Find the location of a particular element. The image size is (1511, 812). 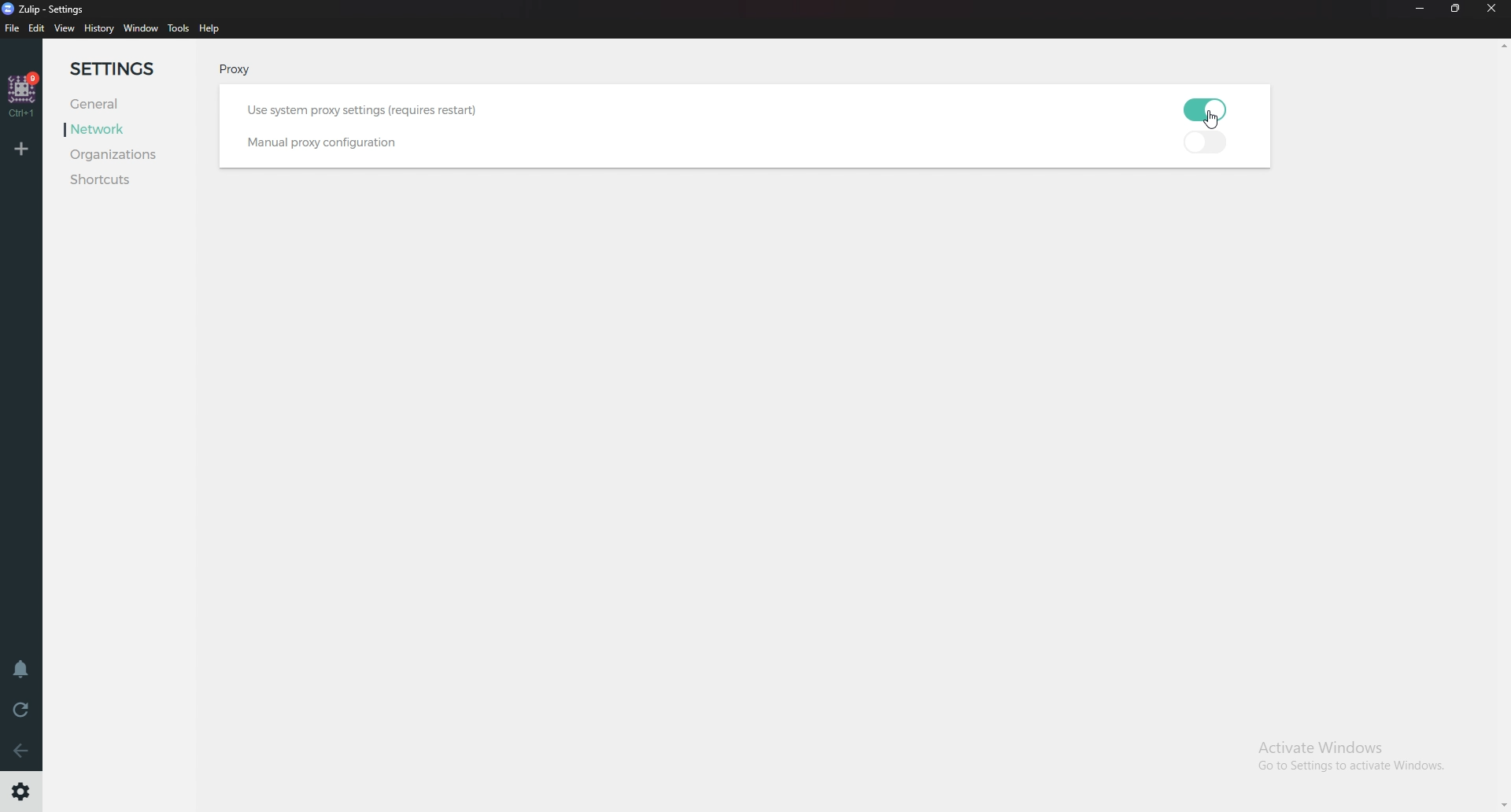

Proxy is located at coordinates (249, 70).